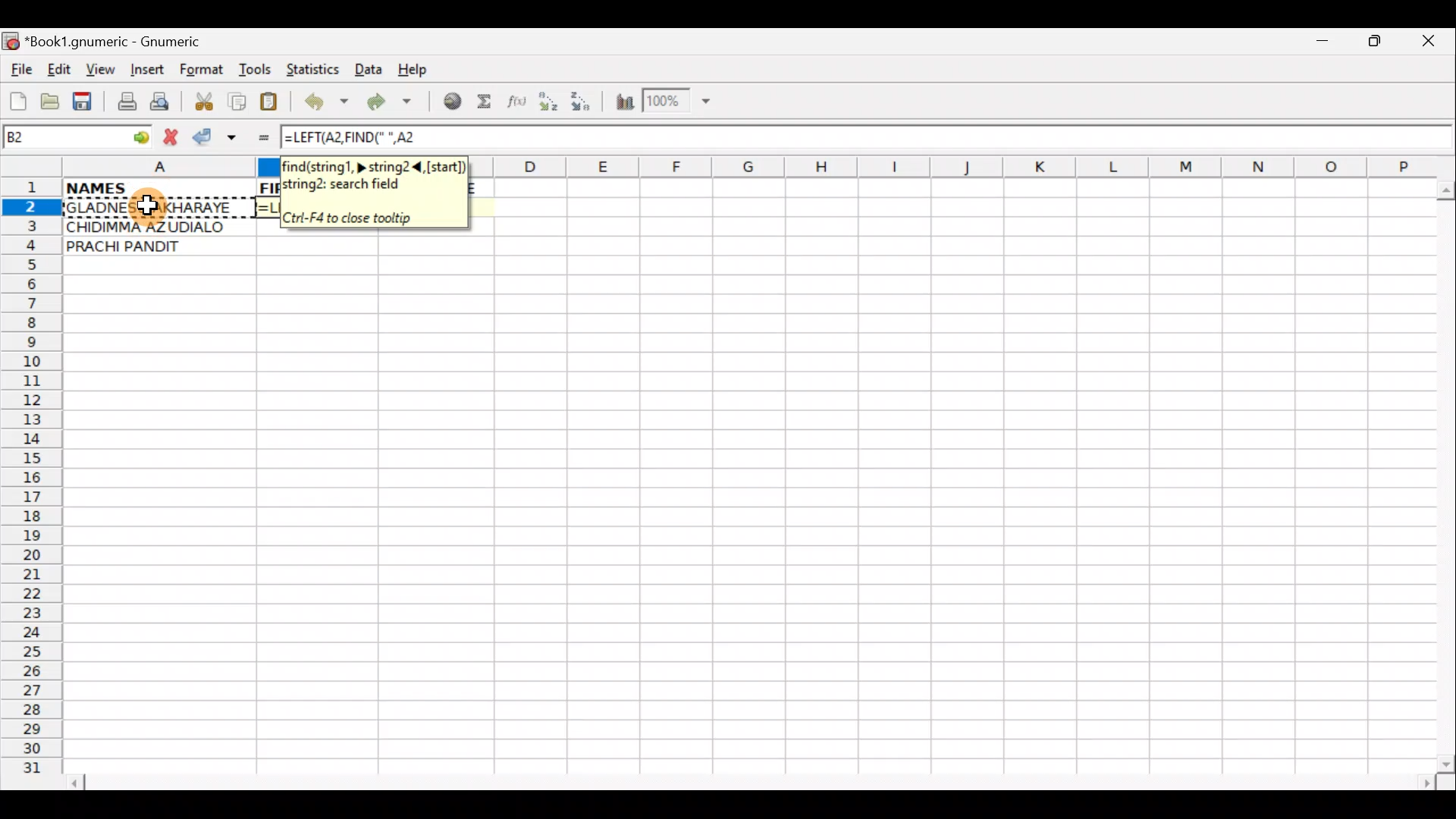  I want to click on Print file, so click(123, 103).